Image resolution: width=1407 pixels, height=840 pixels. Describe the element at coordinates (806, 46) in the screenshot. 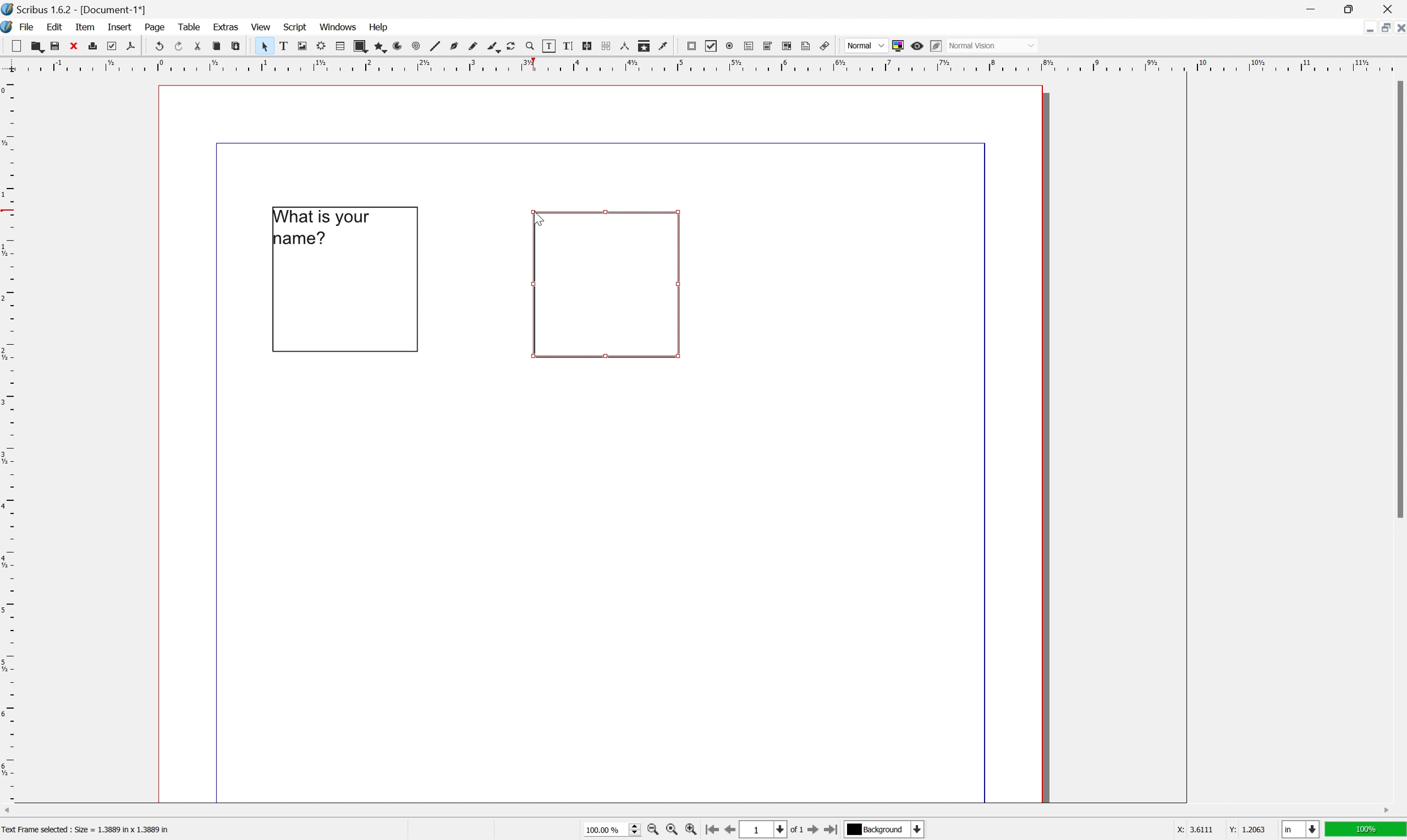

I see `text annotation` at that location.